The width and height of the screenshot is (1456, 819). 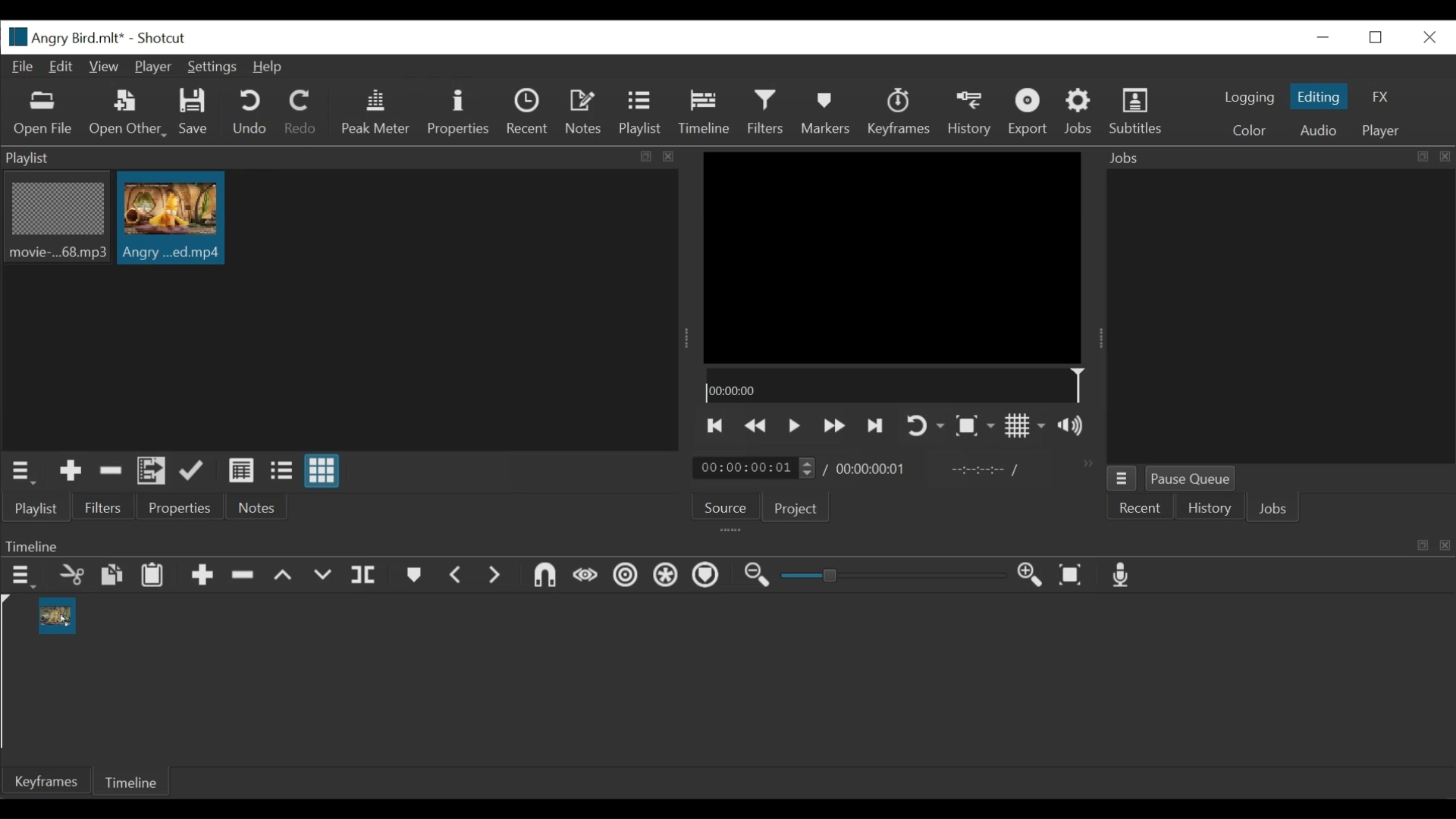 What do you see at coordinates (1140, 115) in the screenshot?
I see `Subtitles` at bounding box center [1140, 115].